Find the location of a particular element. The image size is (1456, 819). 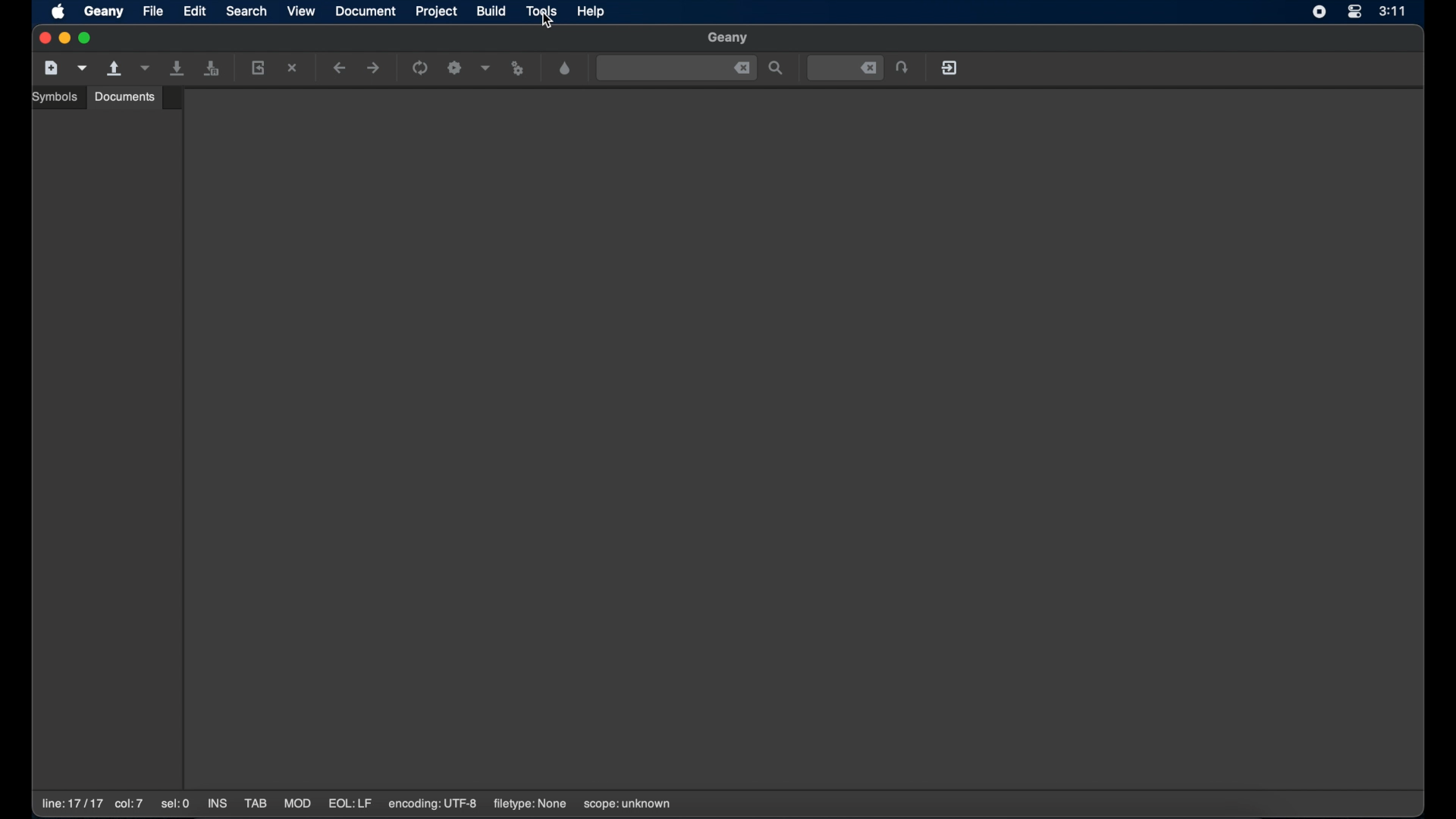

reload the current file is located at coordinates (259, 67).